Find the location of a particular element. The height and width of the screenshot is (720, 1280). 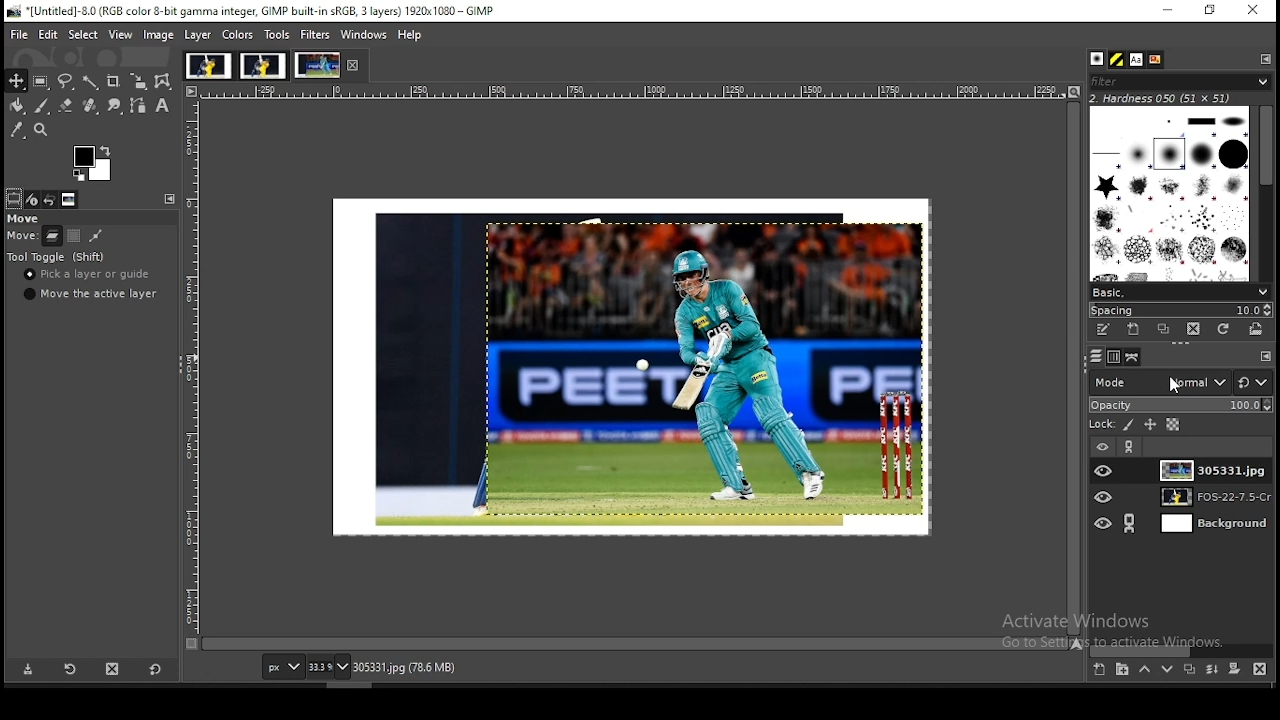

color picker tool is located at coordinates (16, 129).